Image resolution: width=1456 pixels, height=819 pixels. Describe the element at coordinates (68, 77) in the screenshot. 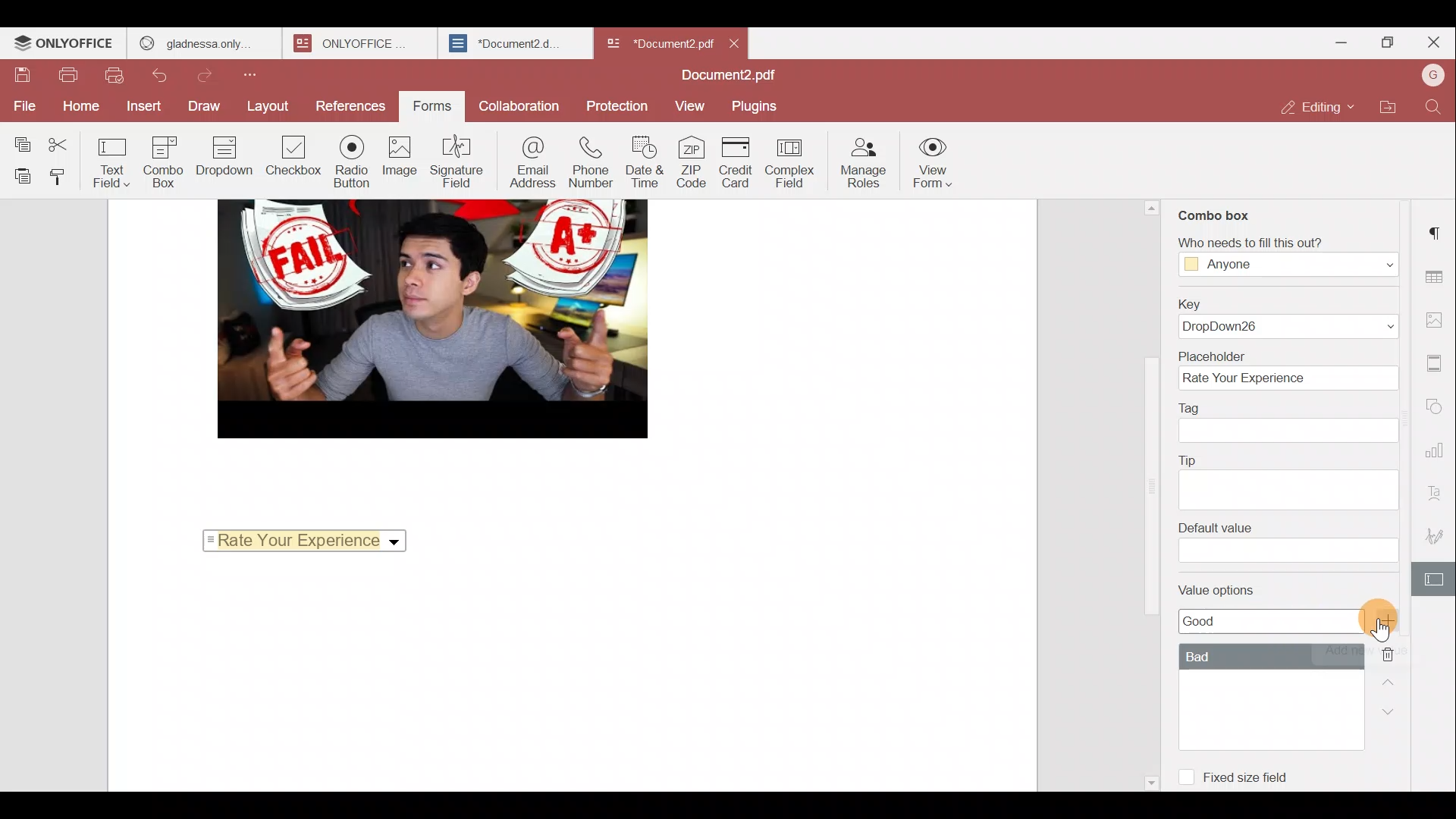

I see `Print file` at that location.